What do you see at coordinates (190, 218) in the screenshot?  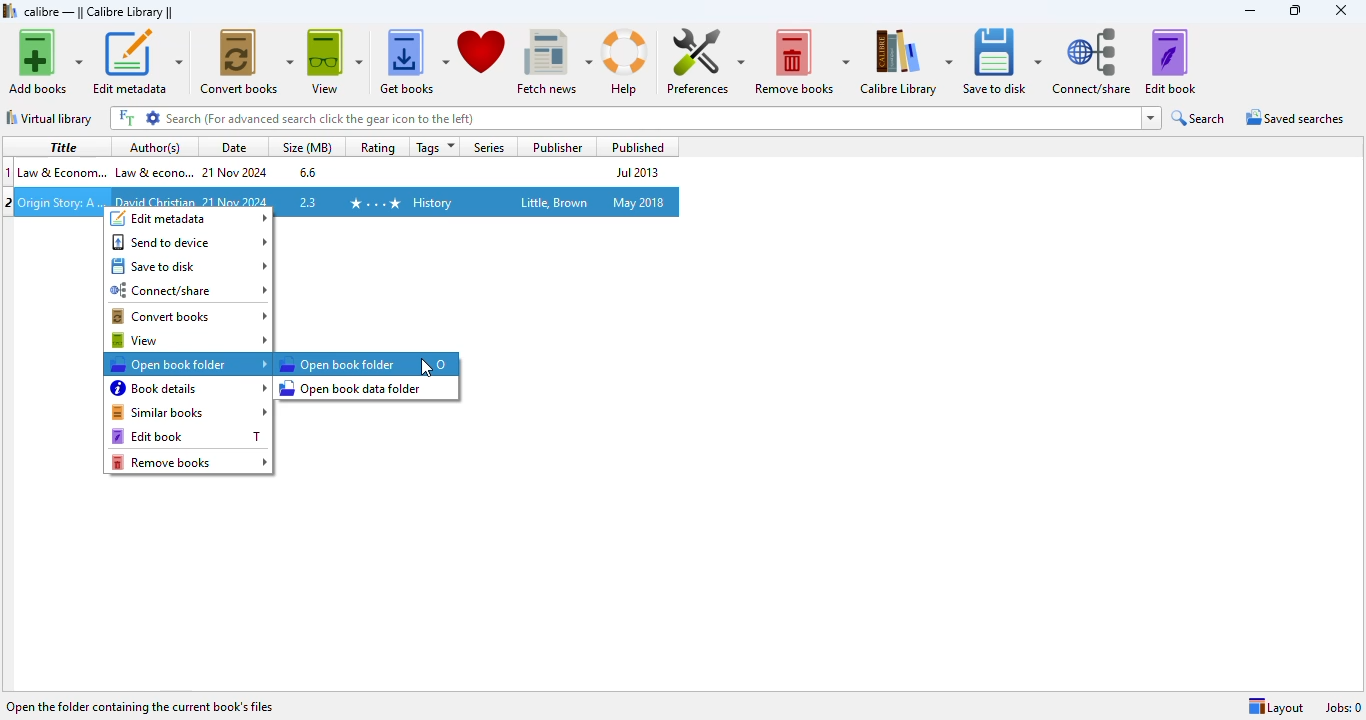 I see `edit metadata` at bounding box center [190, 218].